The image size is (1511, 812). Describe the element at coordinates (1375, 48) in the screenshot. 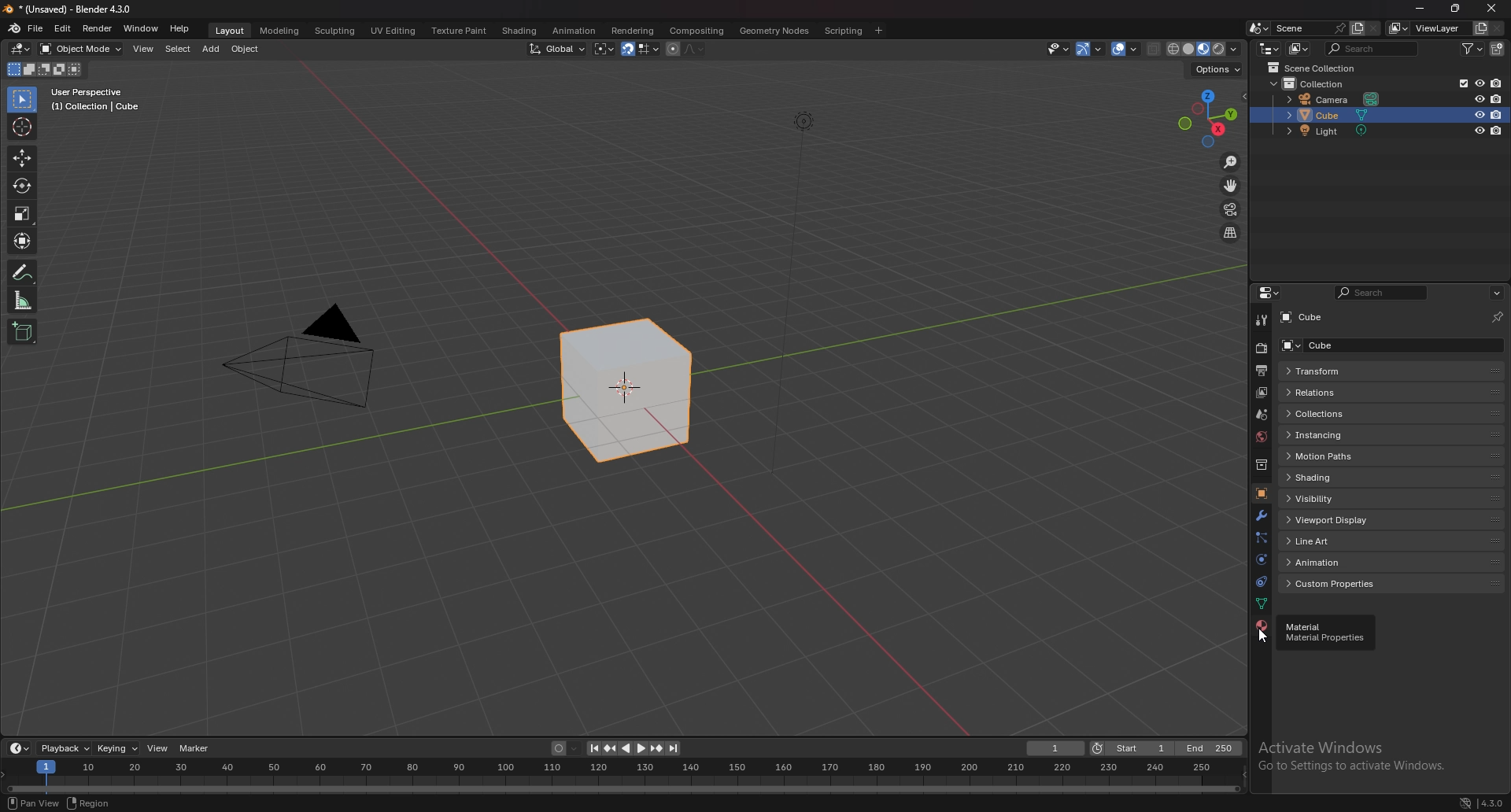

I see `search` at that location.